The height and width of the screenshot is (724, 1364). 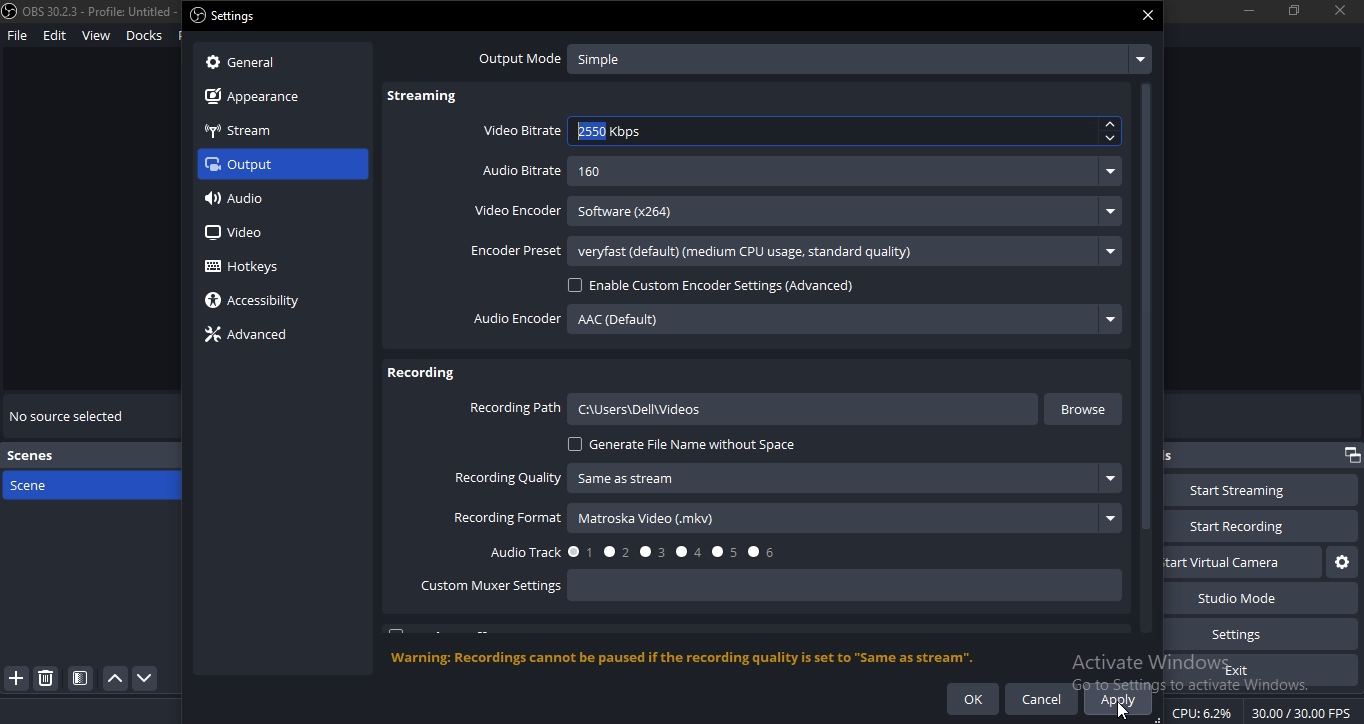 I want to click on general, so click(x=266, y=62).